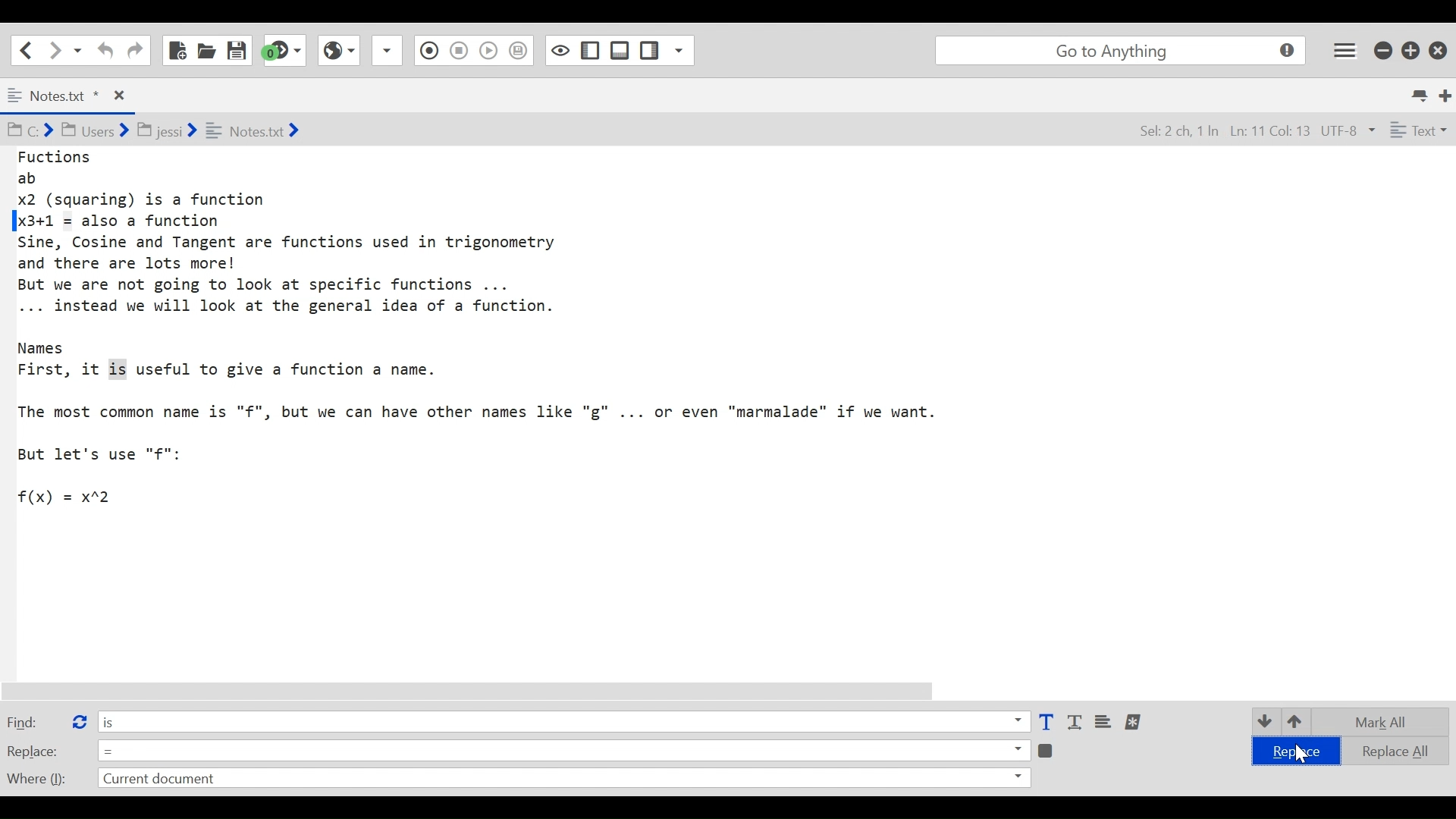 The height and width of the screenshot is (819, 1456). What do you see at coordinates (1263, 720) in the screenshot?
I see `Arrow down` at bounding box center [1263, 720].